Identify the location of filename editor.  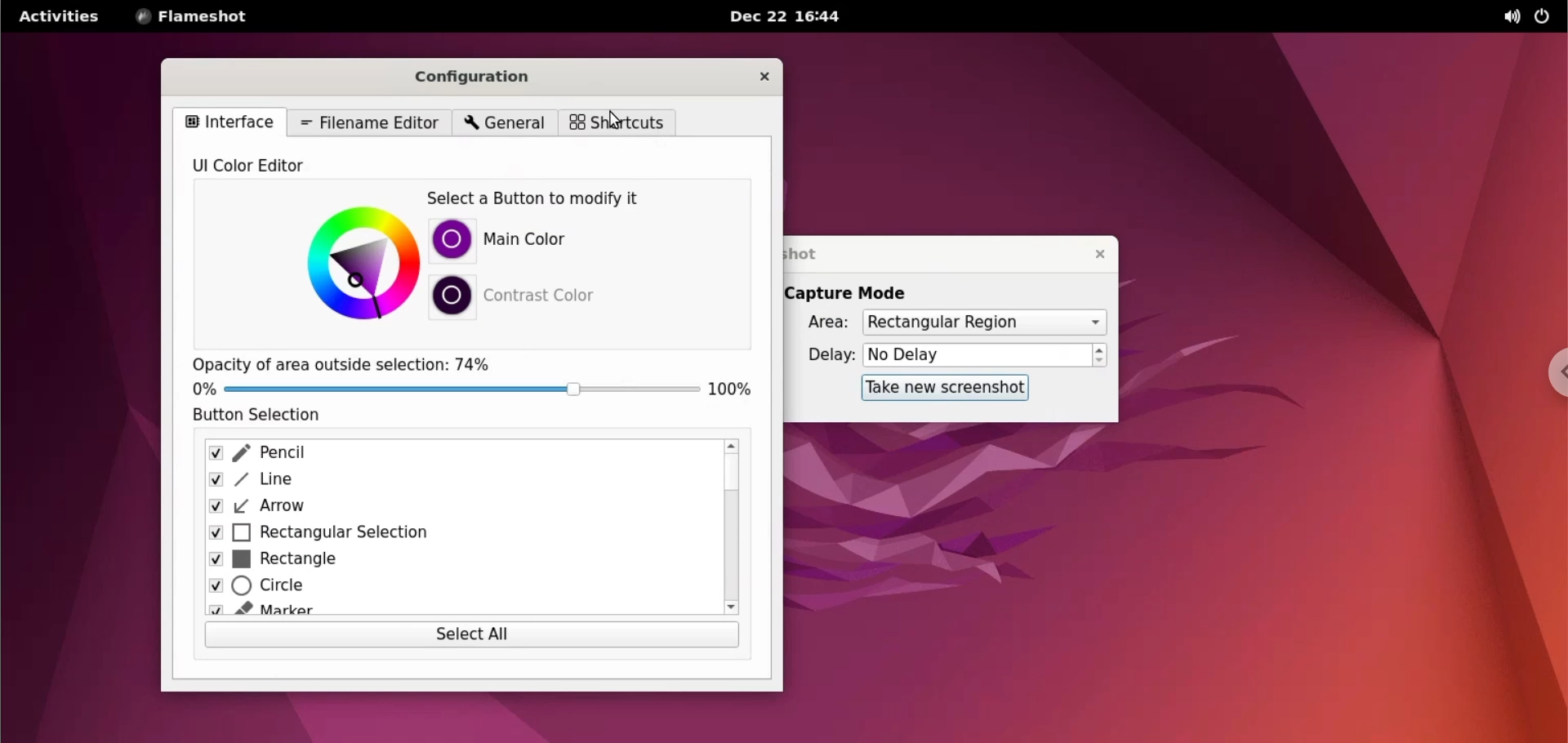
(367, 123).